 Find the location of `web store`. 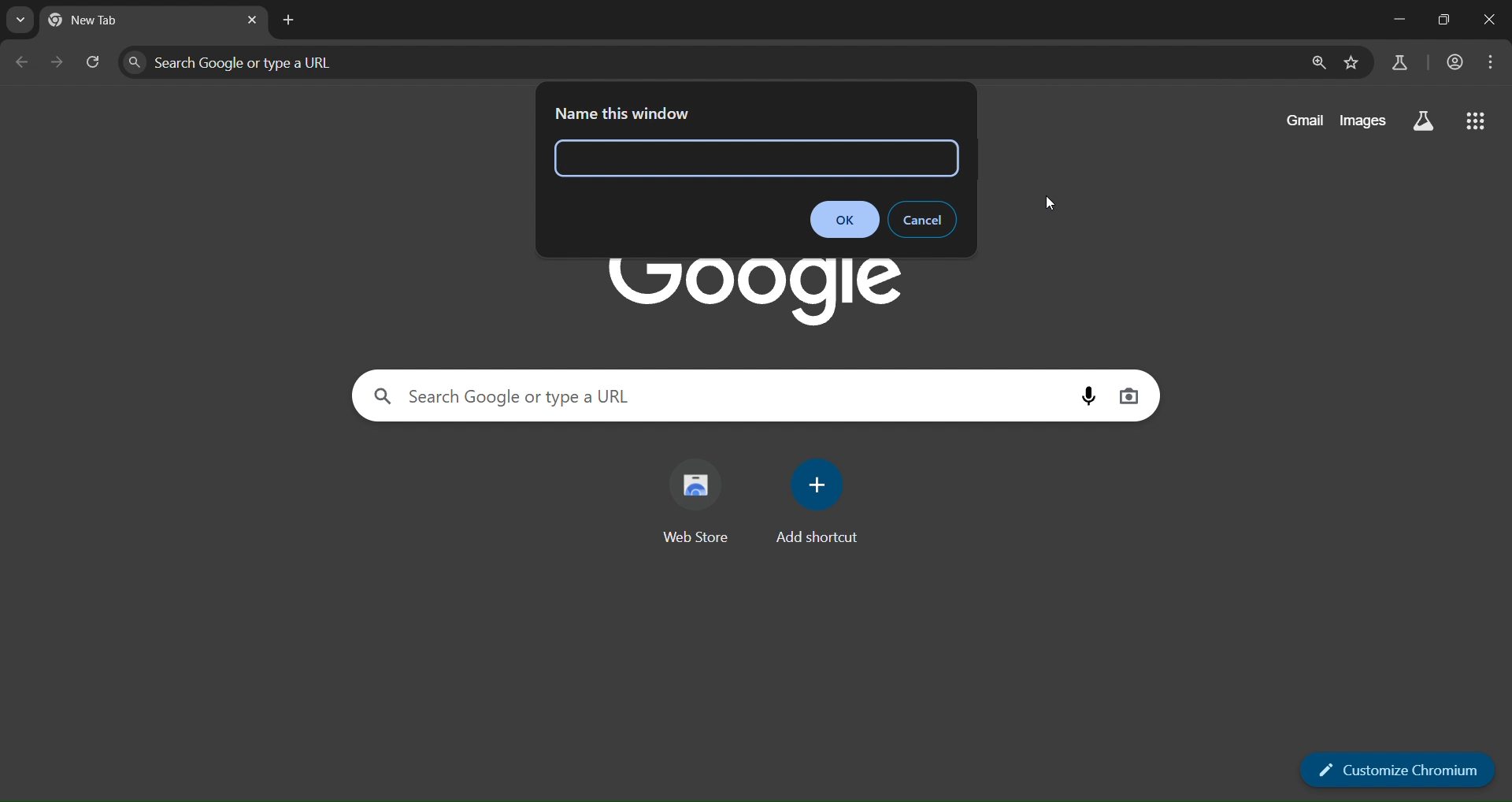

web store is located at coordinates (699, 493).